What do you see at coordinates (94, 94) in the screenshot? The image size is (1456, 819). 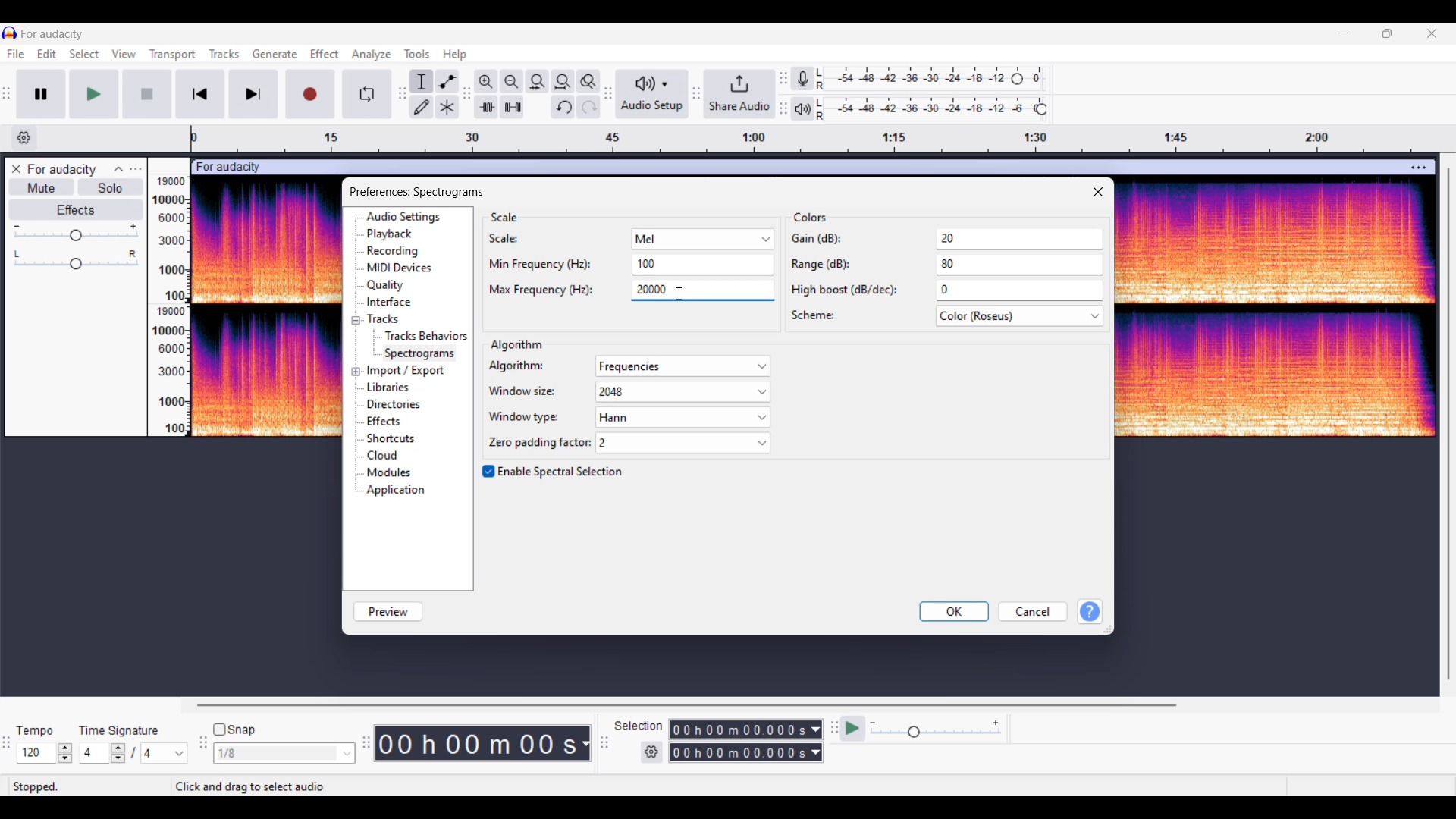 I see `Play/Play once` at bounding box center [94, 94].